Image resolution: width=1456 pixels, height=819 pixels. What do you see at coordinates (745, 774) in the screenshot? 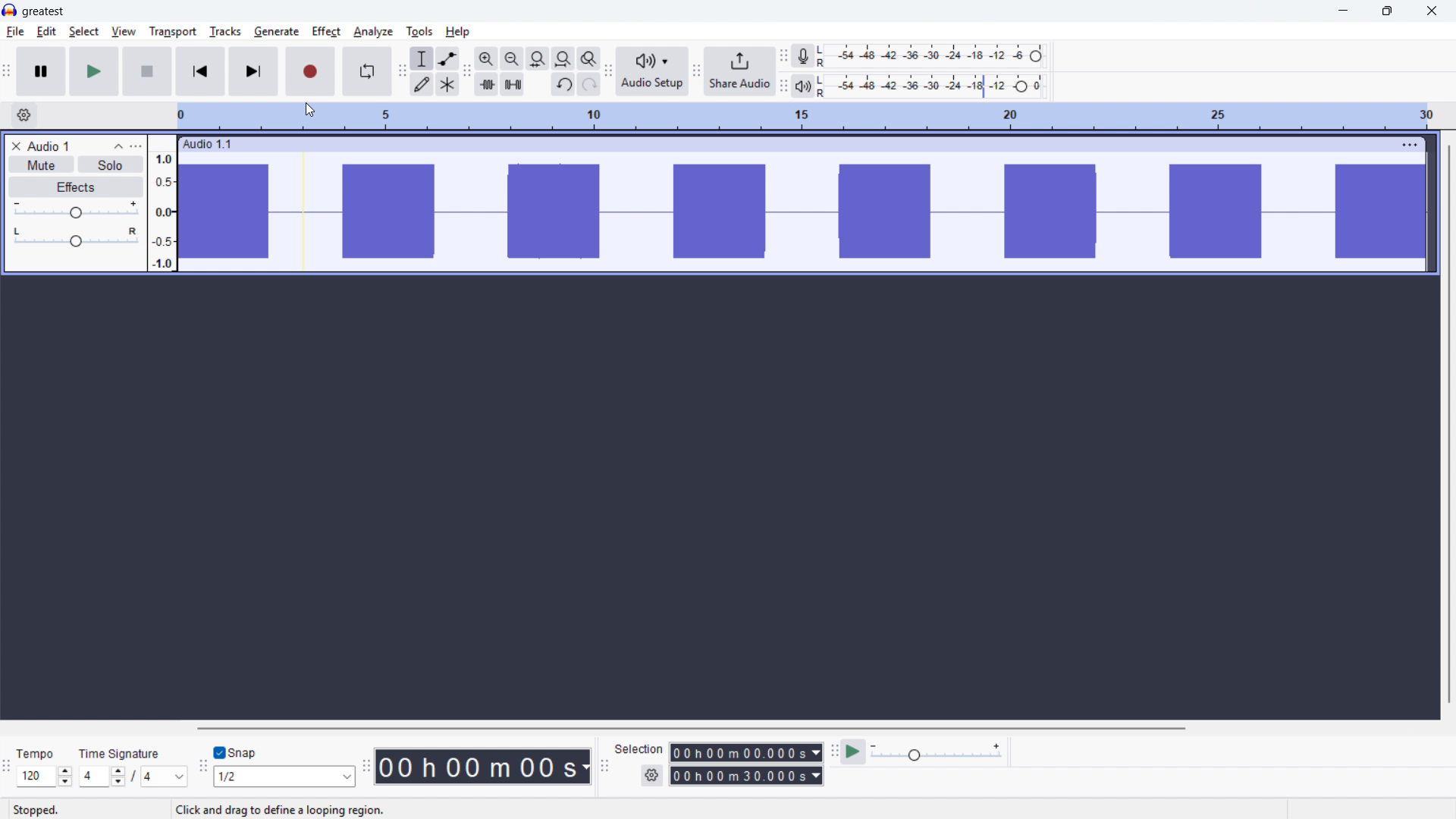
I see `Selection end time` at bounding box center [745, 774].